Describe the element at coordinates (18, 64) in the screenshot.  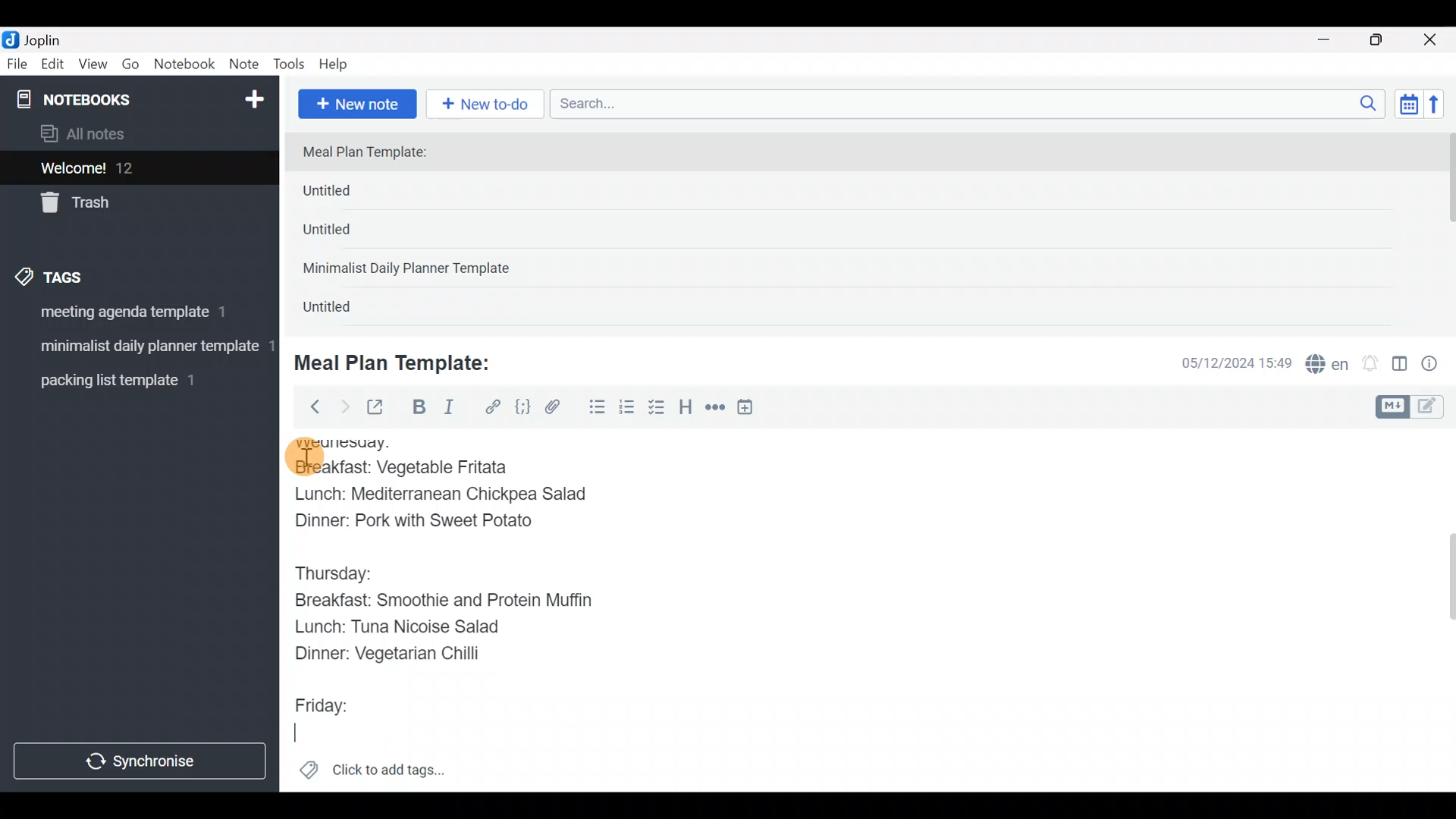
I see `File` at that location.